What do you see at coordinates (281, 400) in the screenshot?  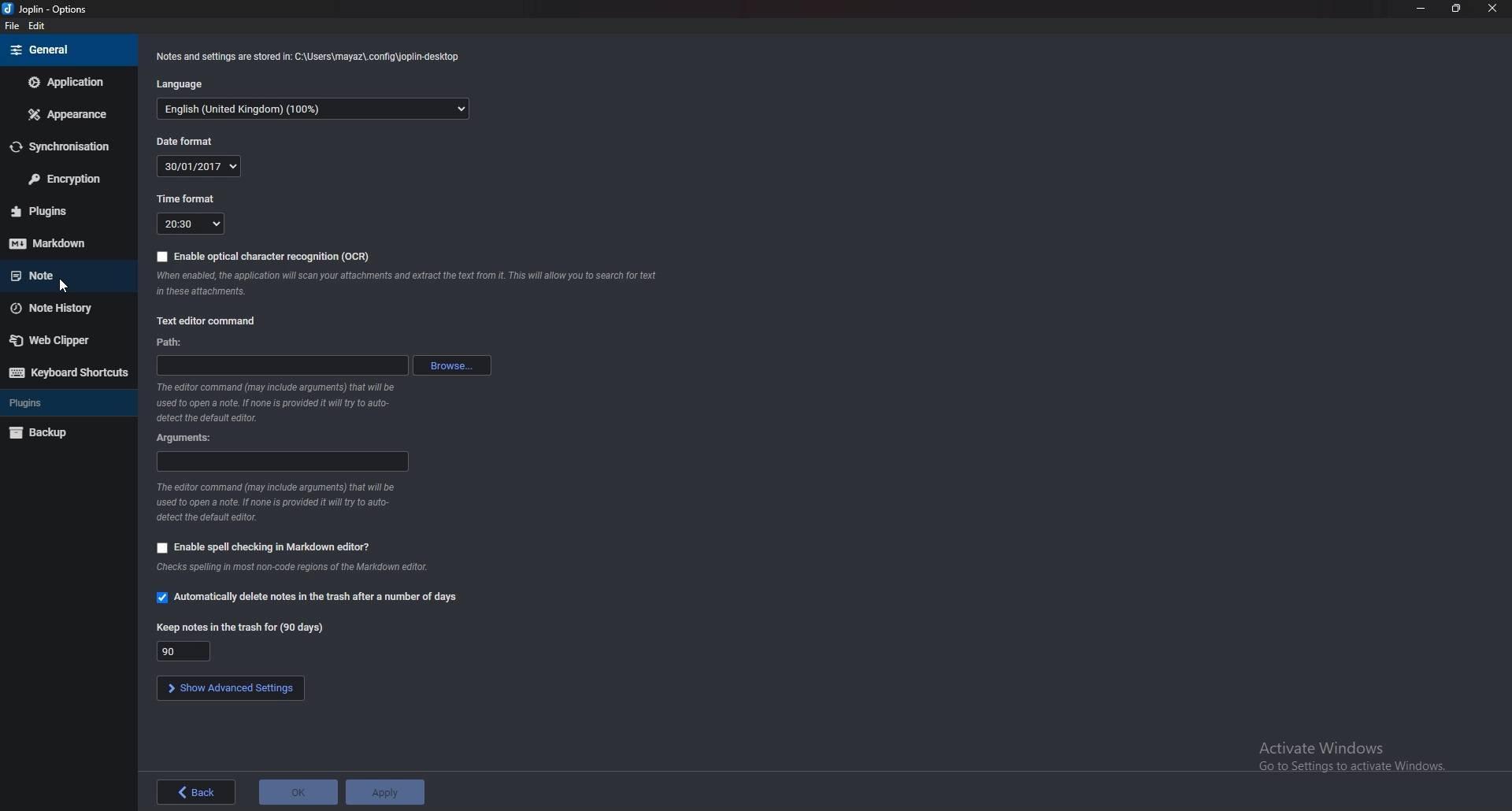 I see `info` at bounding box center [281, 400].